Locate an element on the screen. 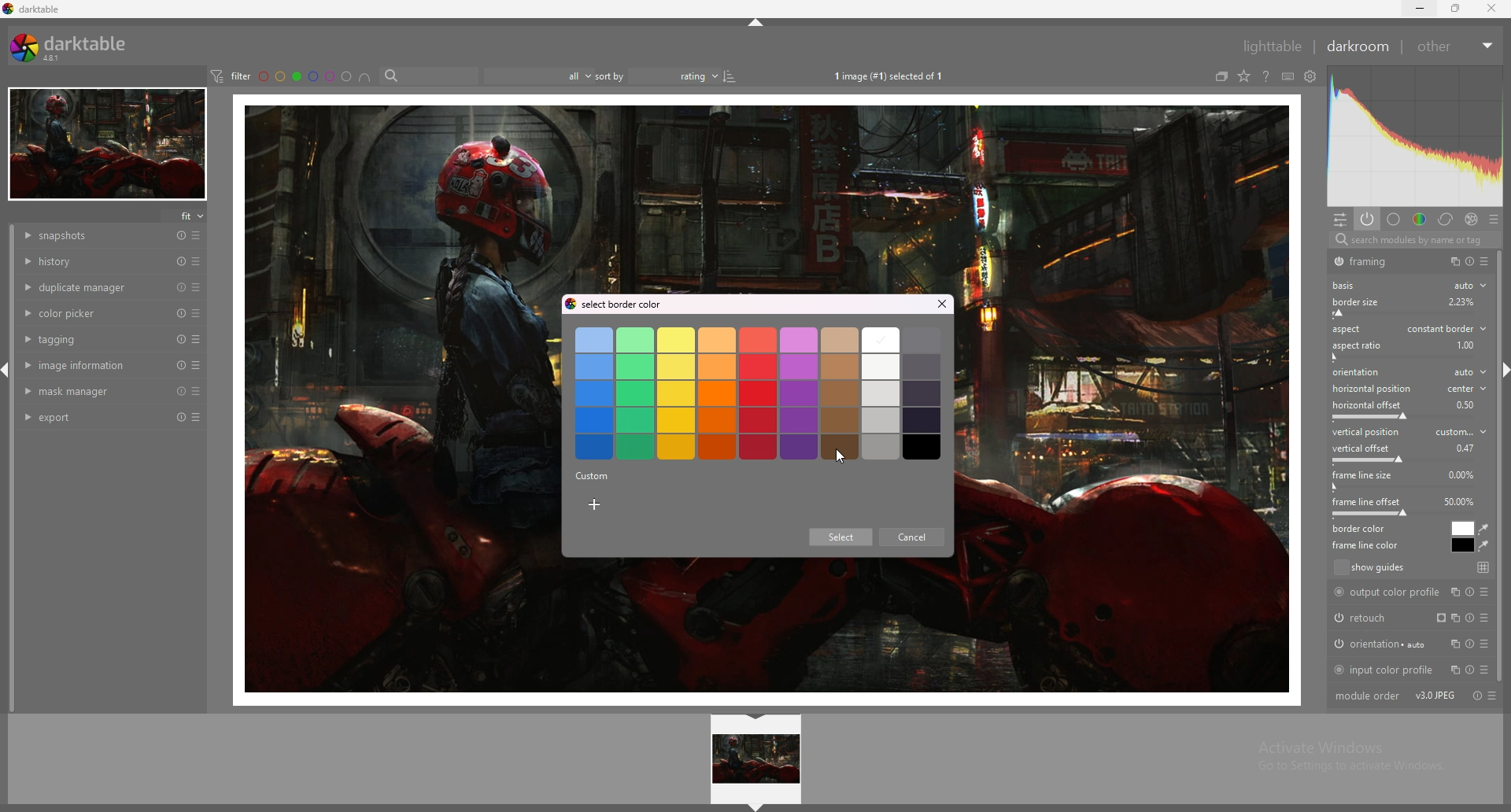 The height and width of the screenshot is (812, 1511). retouch is located at coordinates (1407, 617).